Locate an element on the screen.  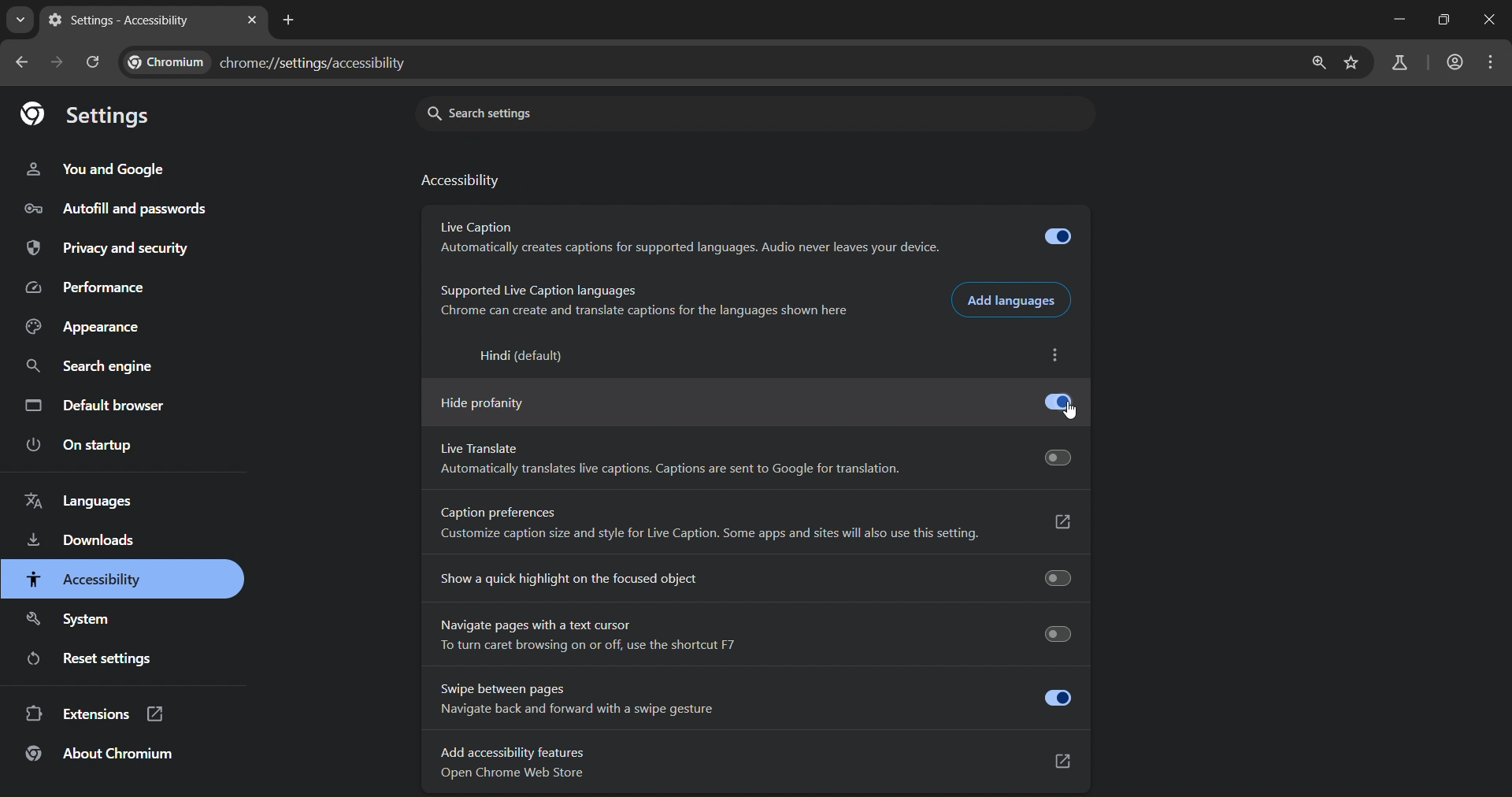
accounts is located at coordinates (1455, 62).